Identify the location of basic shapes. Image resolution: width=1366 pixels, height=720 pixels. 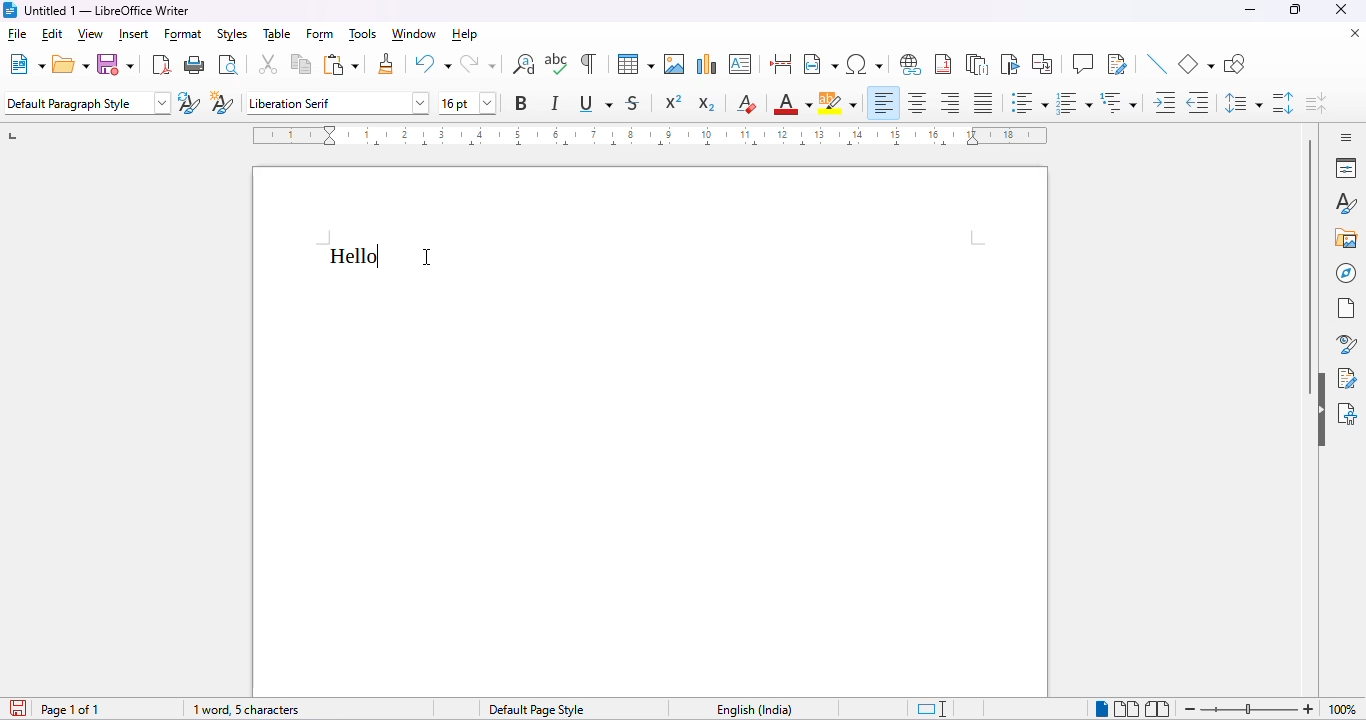
(1196, 65).